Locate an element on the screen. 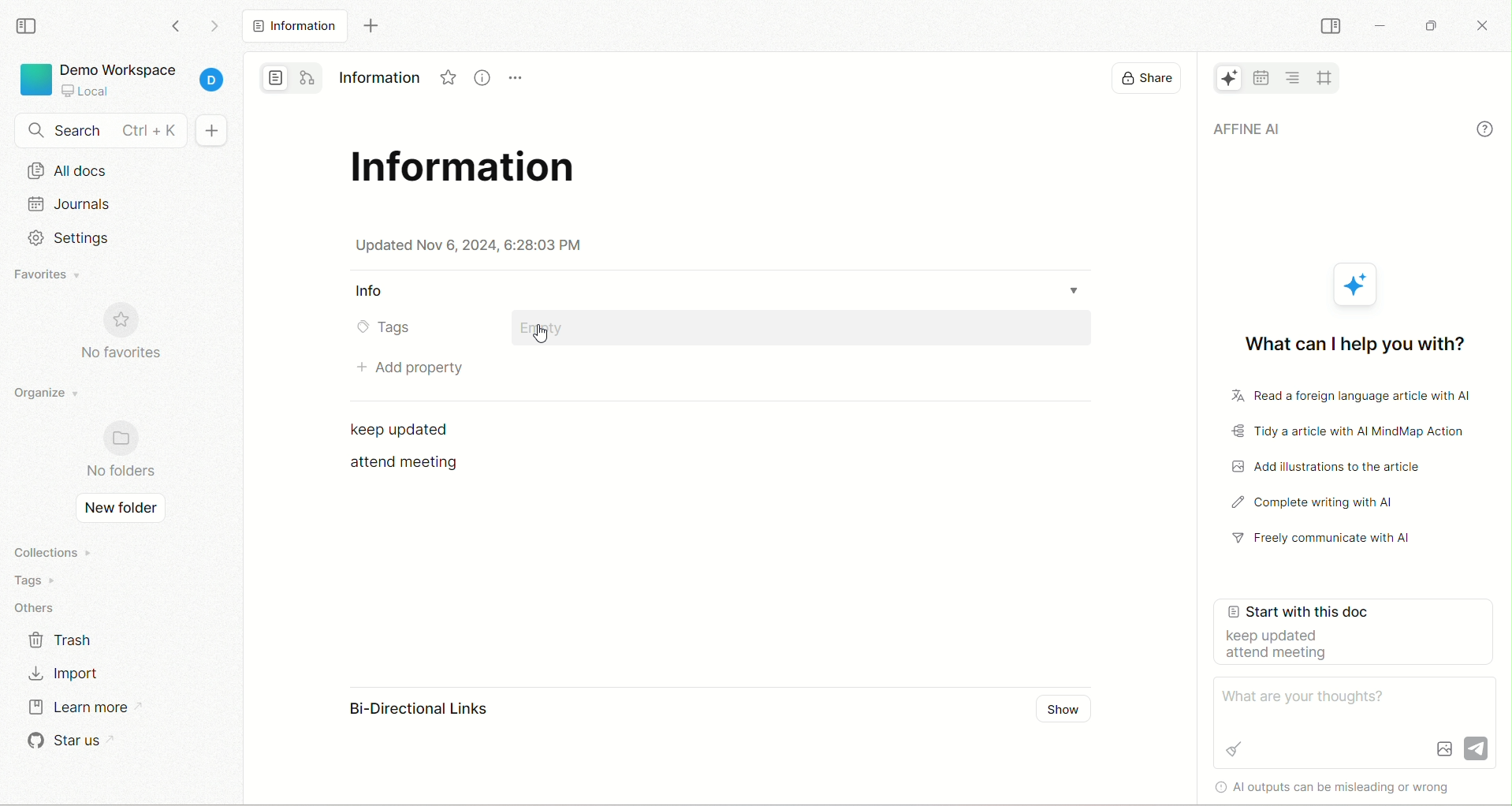 This screenshot has width=1512, height=806. local is located at coordinates (84, 91).